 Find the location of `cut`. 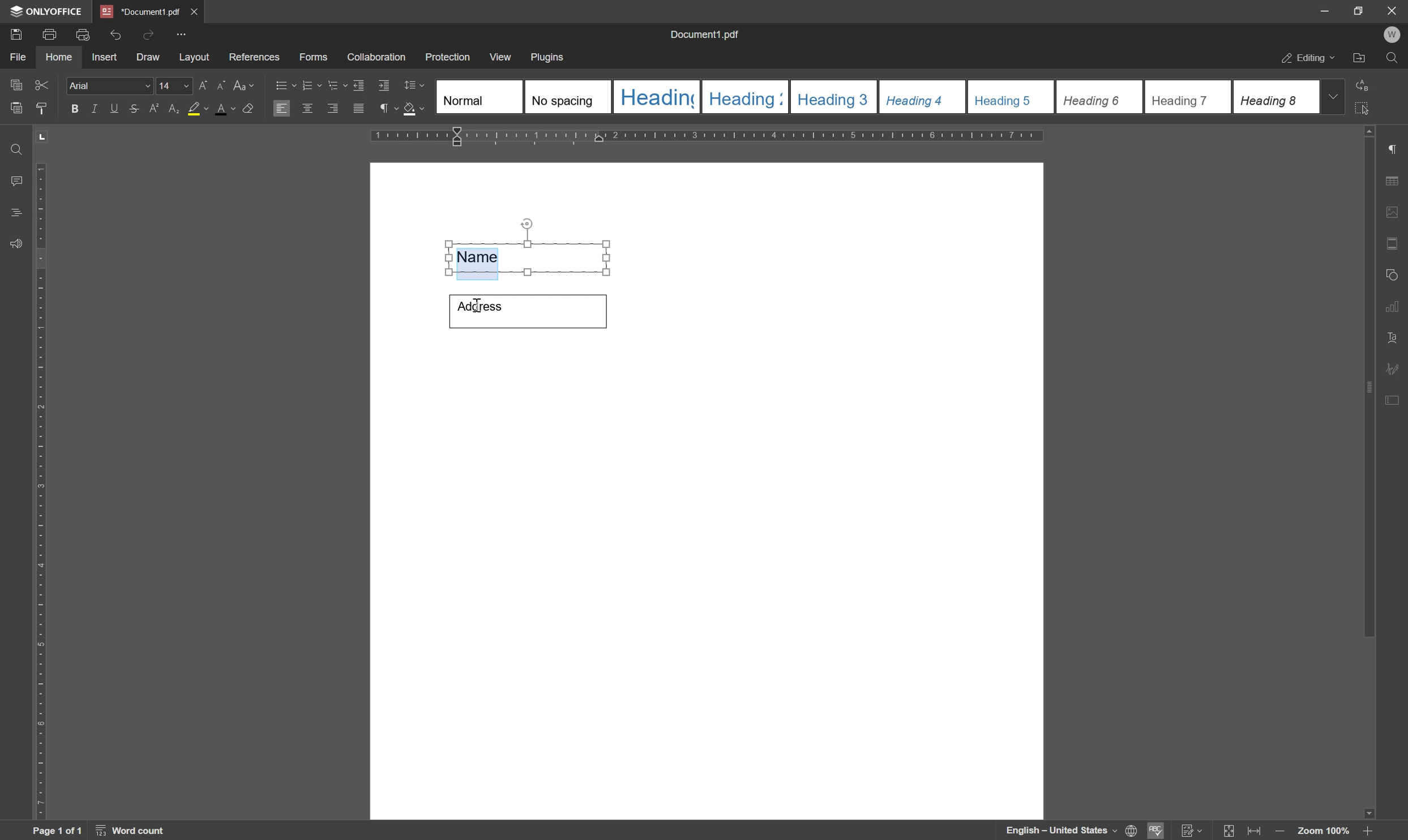

cut is located at coordinates (41, 84).